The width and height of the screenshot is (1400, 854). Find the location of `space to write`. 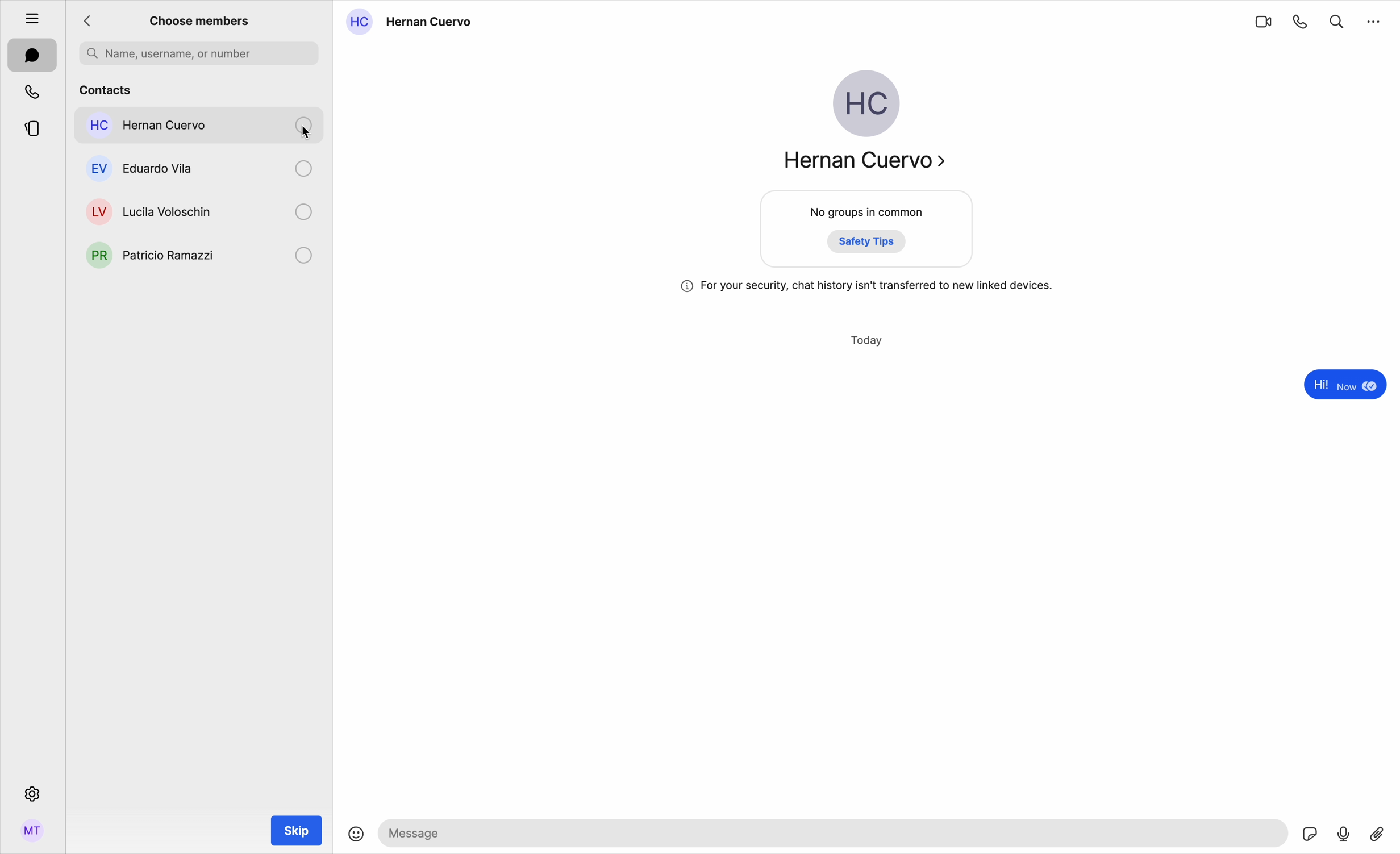

space to write is located at coordinates (836, 832).